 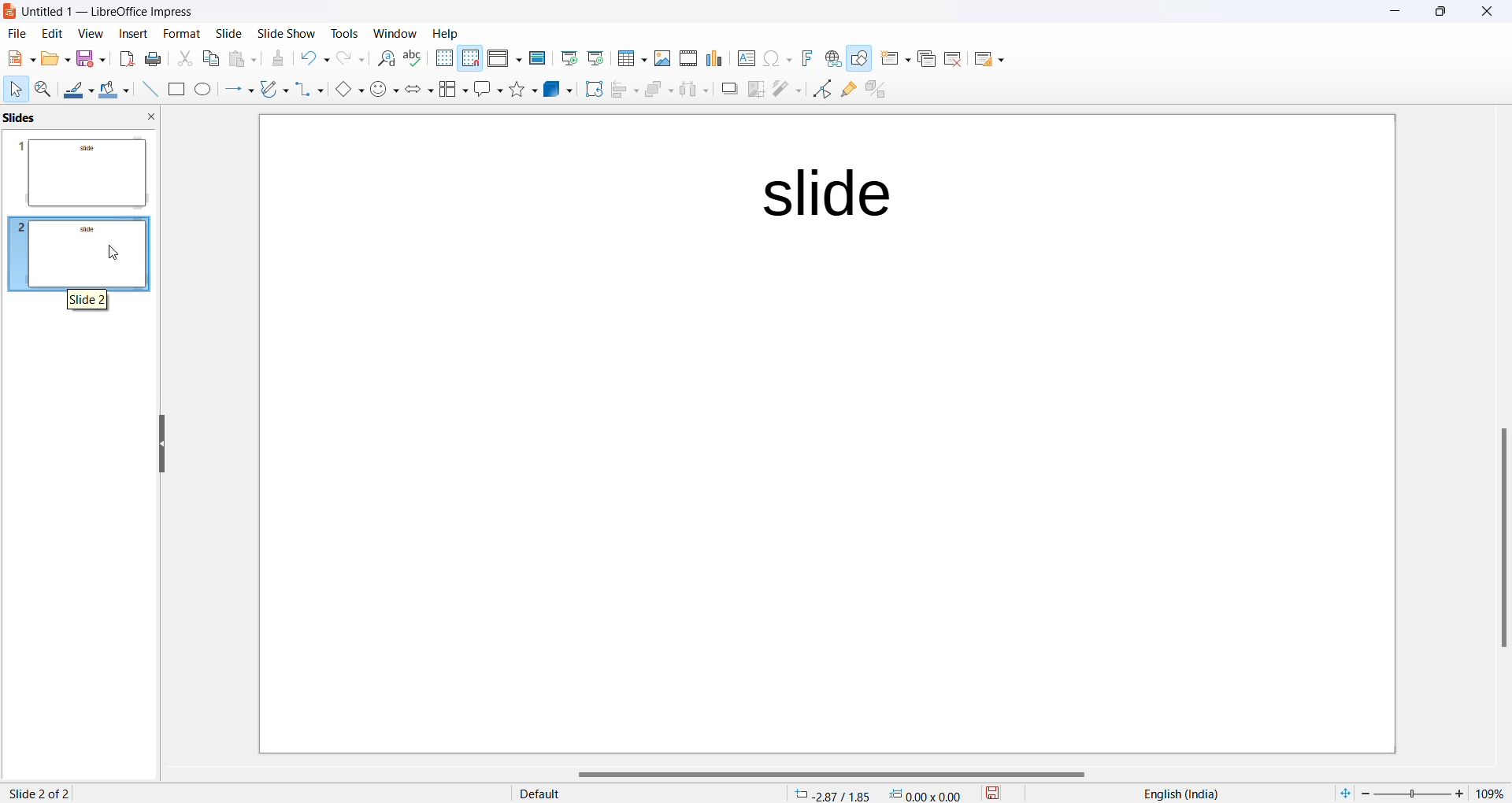 What do you see at coordinates (486, 90) in the screenshot?
I see `Call out shapes` at bounding box center [486, 90].